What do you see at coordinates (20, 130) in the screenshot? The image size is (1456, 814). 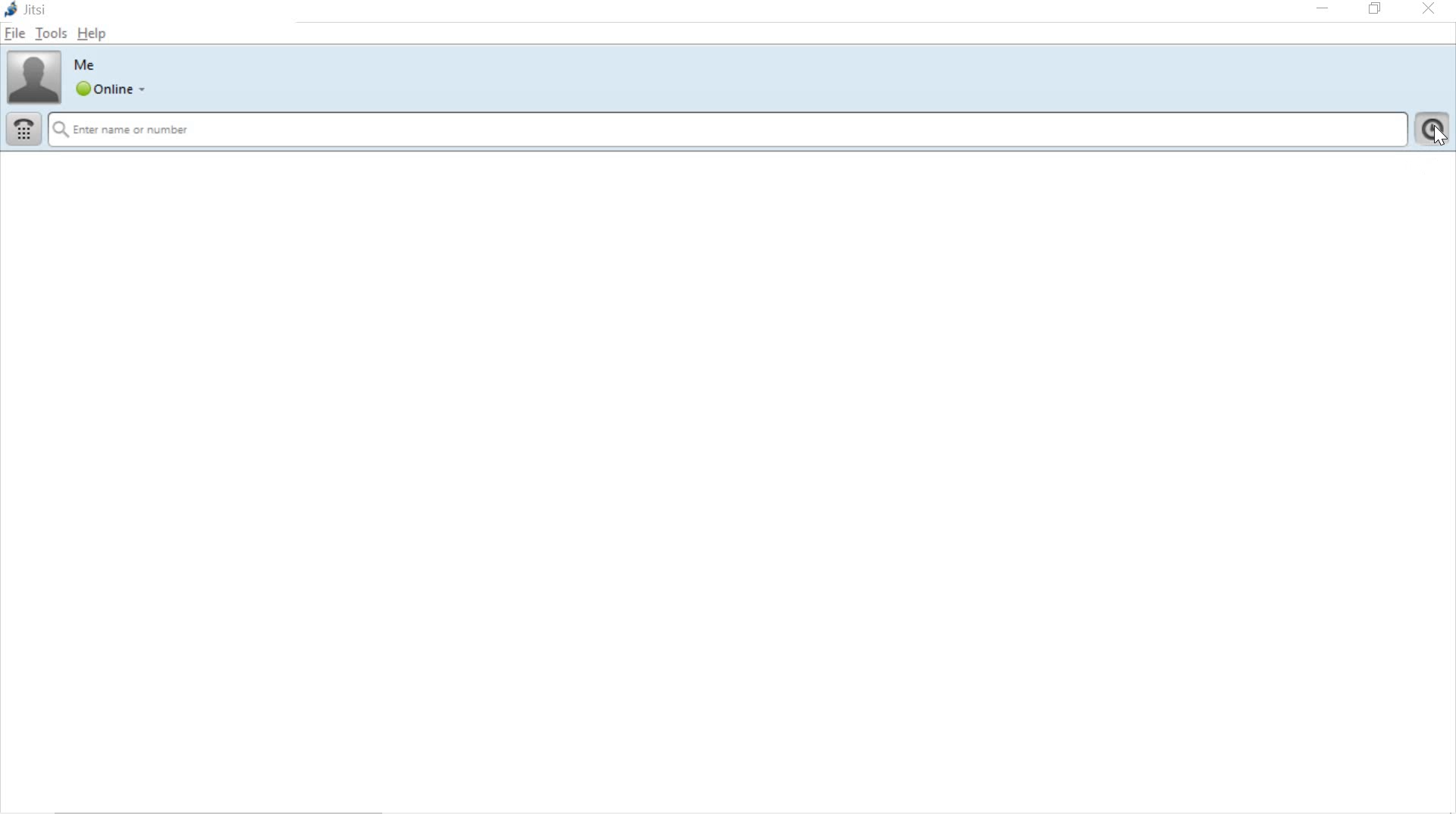 I see `dial pad` at bounding box center [20, 130].